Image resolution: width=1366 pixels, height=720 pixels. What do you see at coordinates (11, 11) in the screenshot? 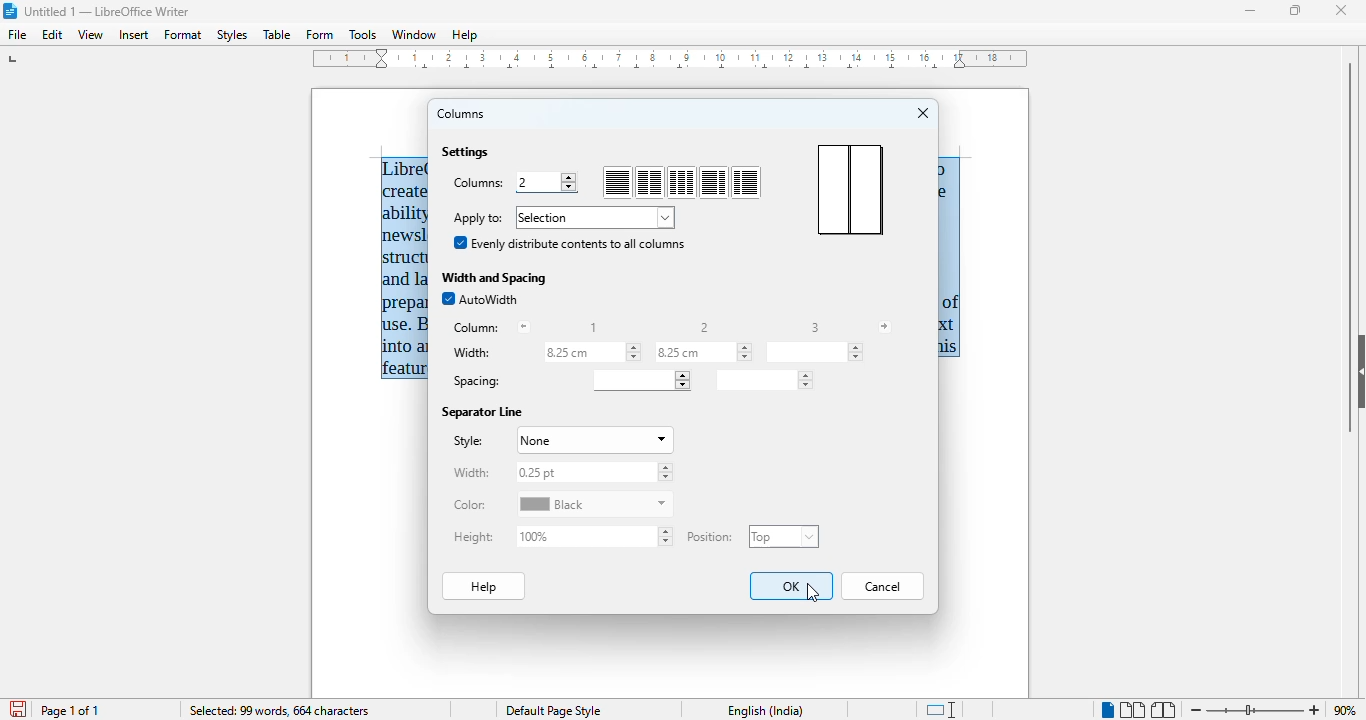
I see `LibreOffice logo` at bounding box center [11, 11].